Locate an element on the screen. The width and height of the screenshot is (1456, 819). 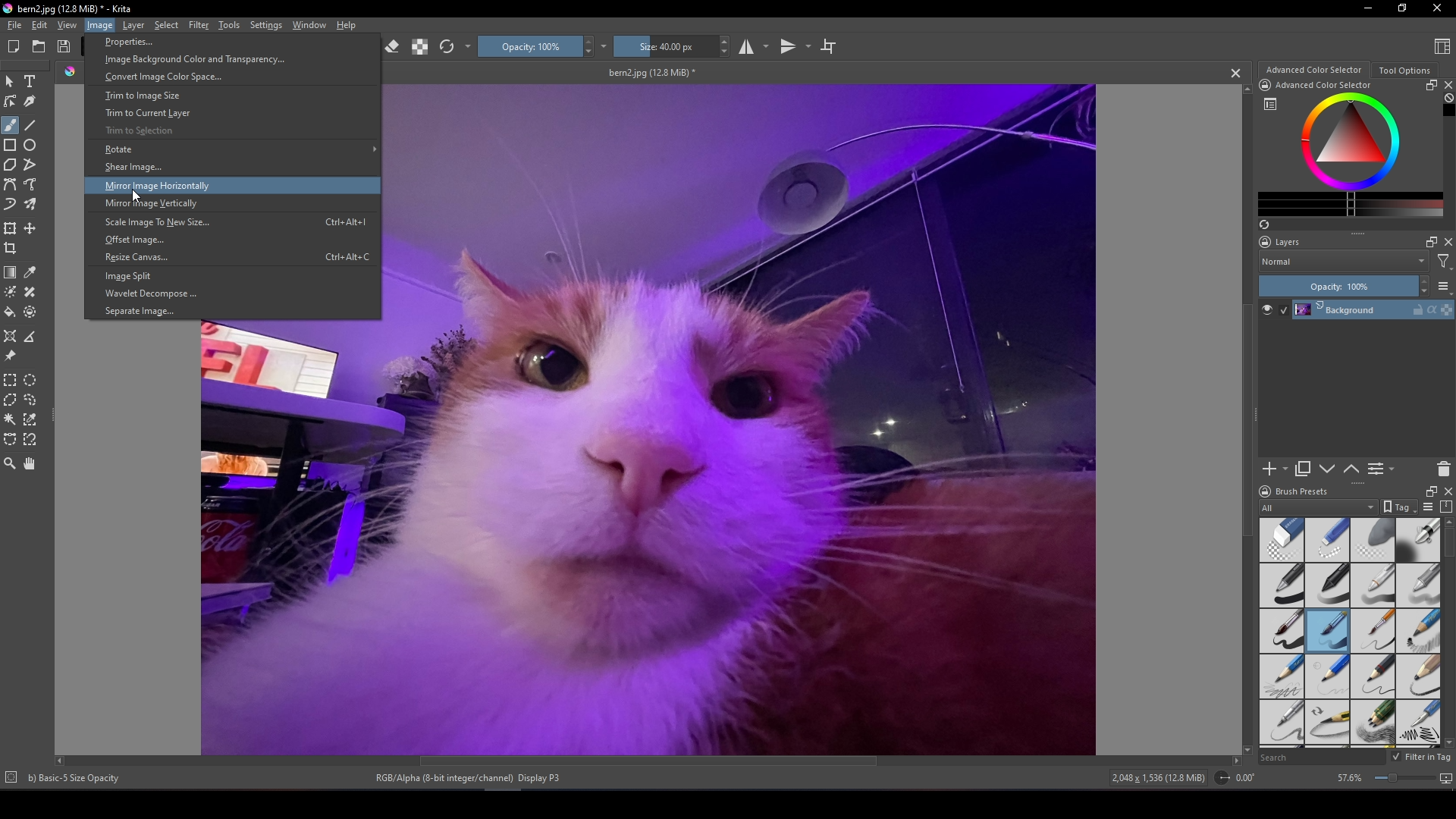
Filter is located at coordinates (199, 26).